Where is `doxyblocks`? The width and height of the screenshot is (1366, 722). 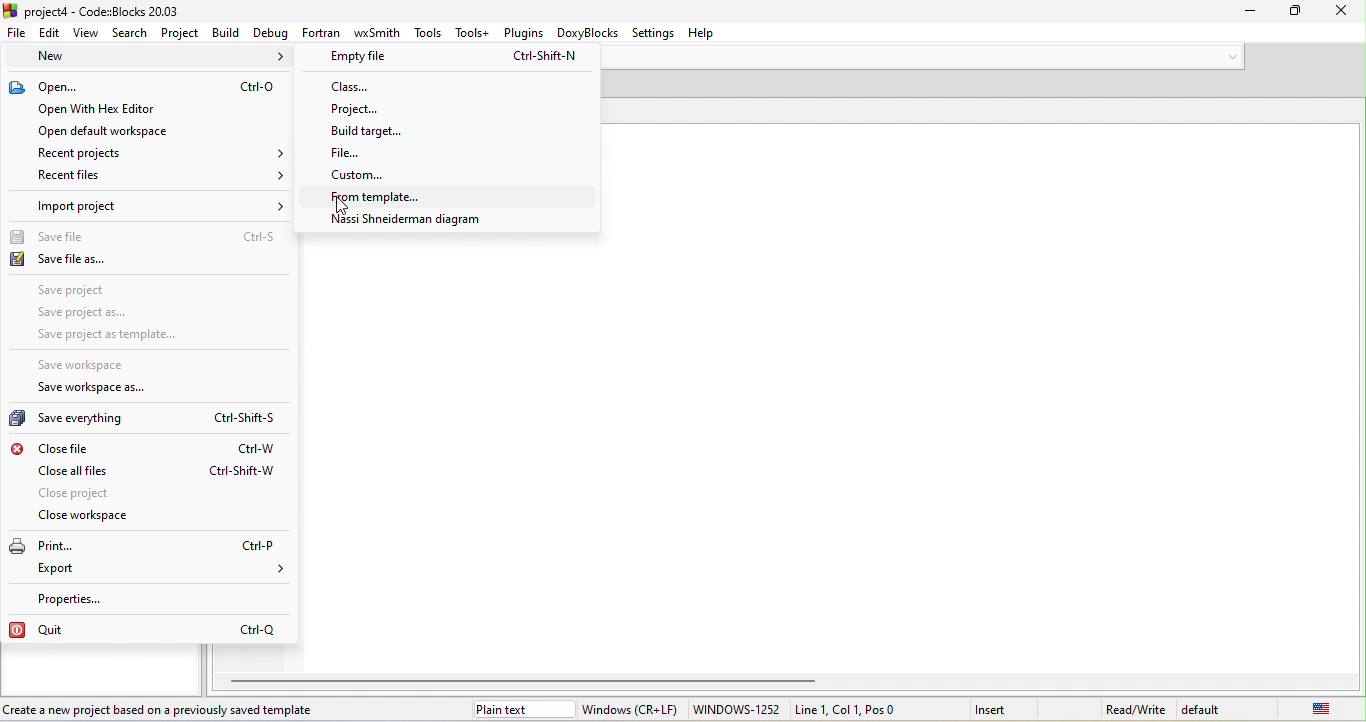
doxyblocks is located at coordinates (588, 31).